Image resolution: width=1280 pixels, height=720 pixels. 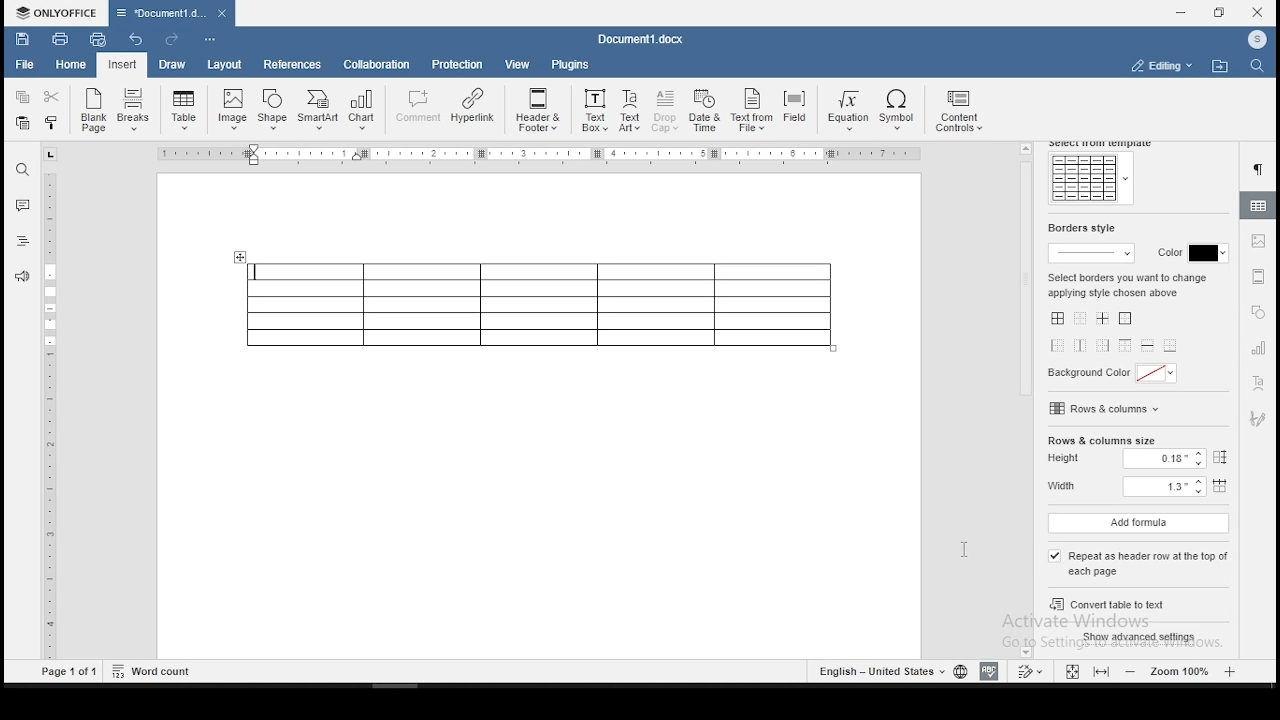 I want to click on headings, so click(x=23, y=241).